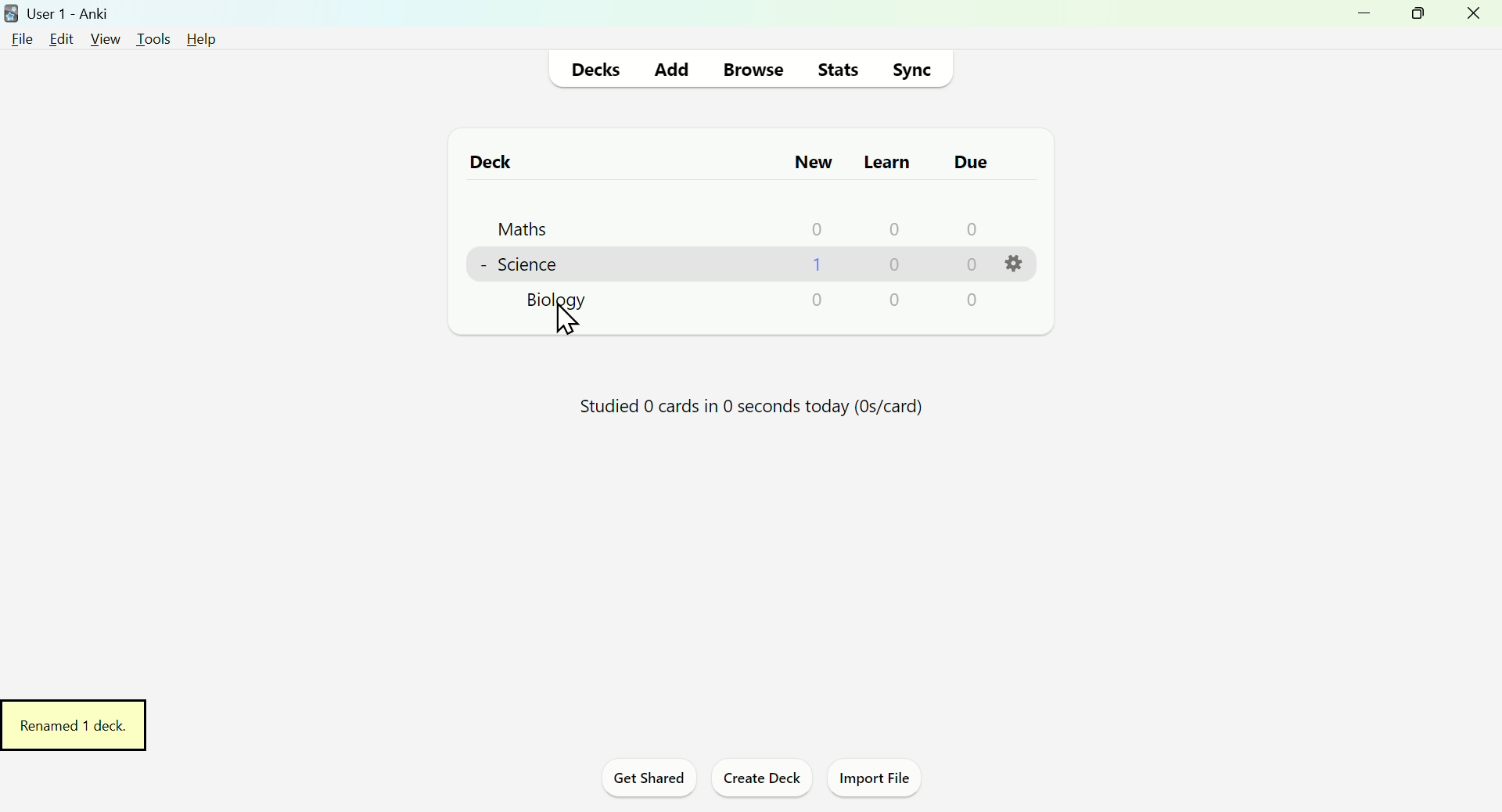 The width and height of the screenshot is (1502, 812). What do you see at coordinates (742, 411) in the screenshot?
I see `Progress` at bounding box center [742, 411].